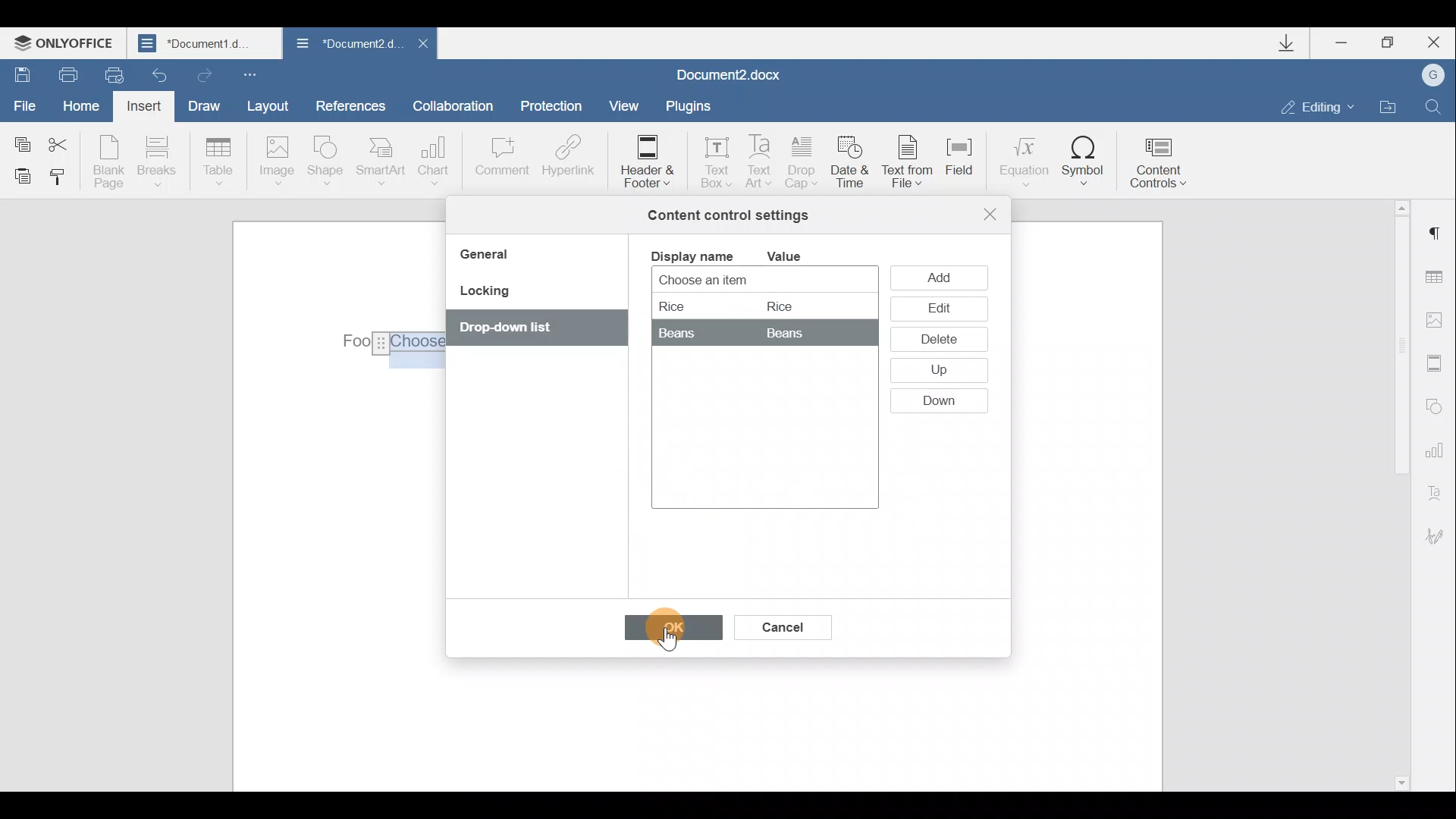  What do you see at coordinates (666, 631) in the screenshot?
I see `OK` at bounding box center [666, 631].